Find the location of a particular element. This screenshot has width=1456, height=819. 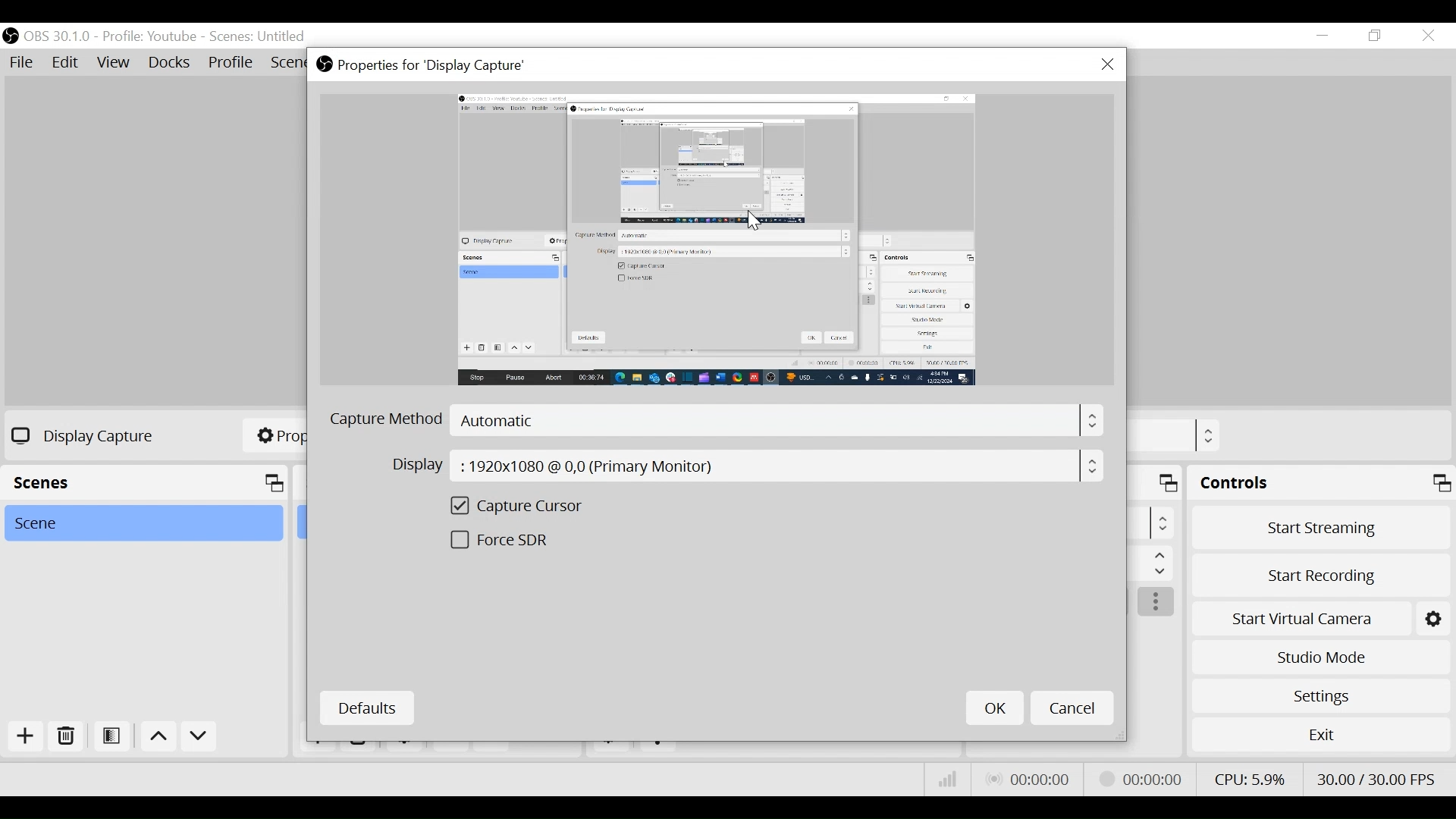

OBS Studio Desktop Icon is located at coordinates (10, 36).